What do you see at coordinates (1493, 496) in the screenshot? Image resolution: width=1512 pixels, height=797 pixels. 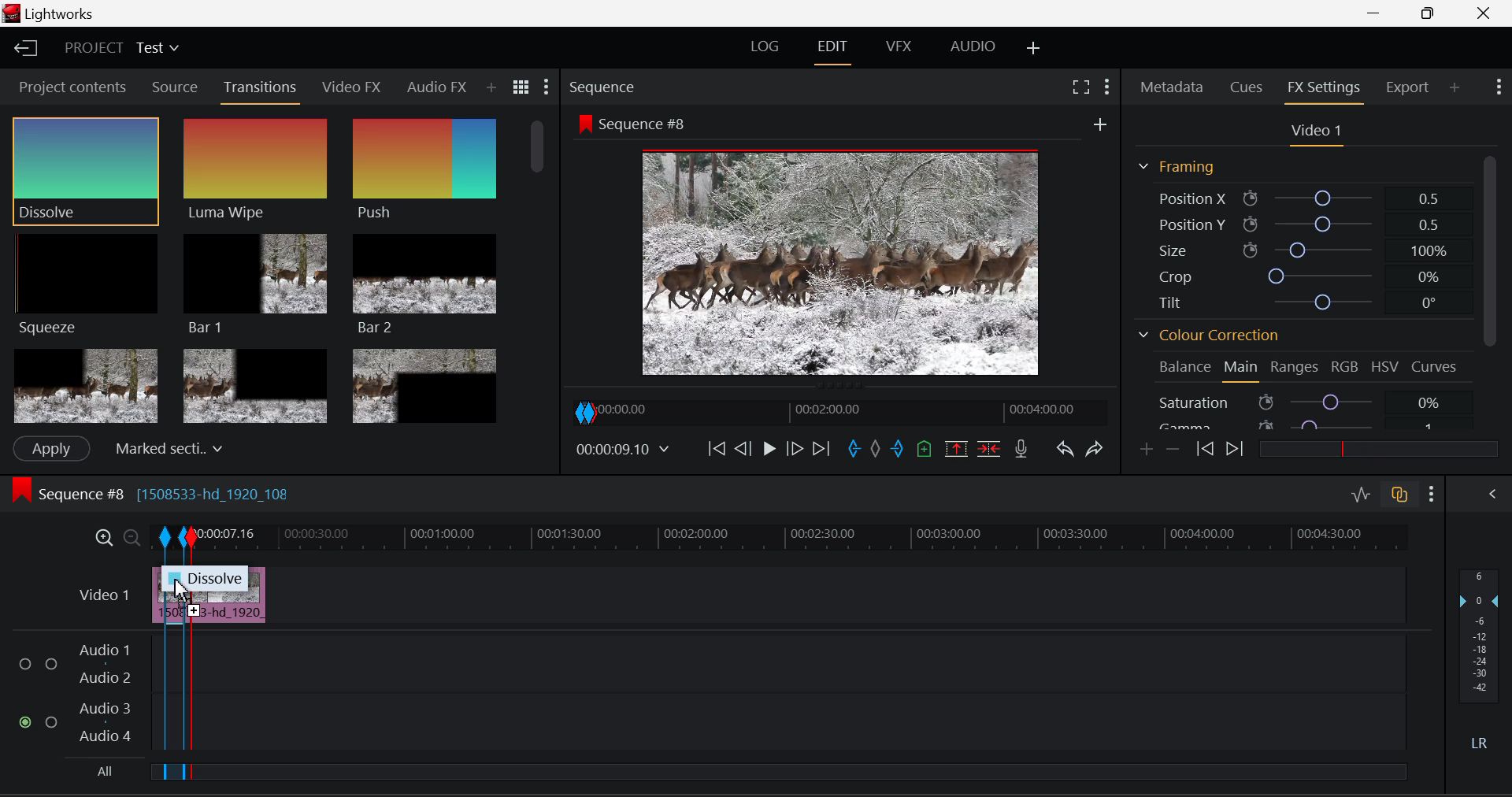 I see `Show Audio Mix` at bounding box center [1493, 496].